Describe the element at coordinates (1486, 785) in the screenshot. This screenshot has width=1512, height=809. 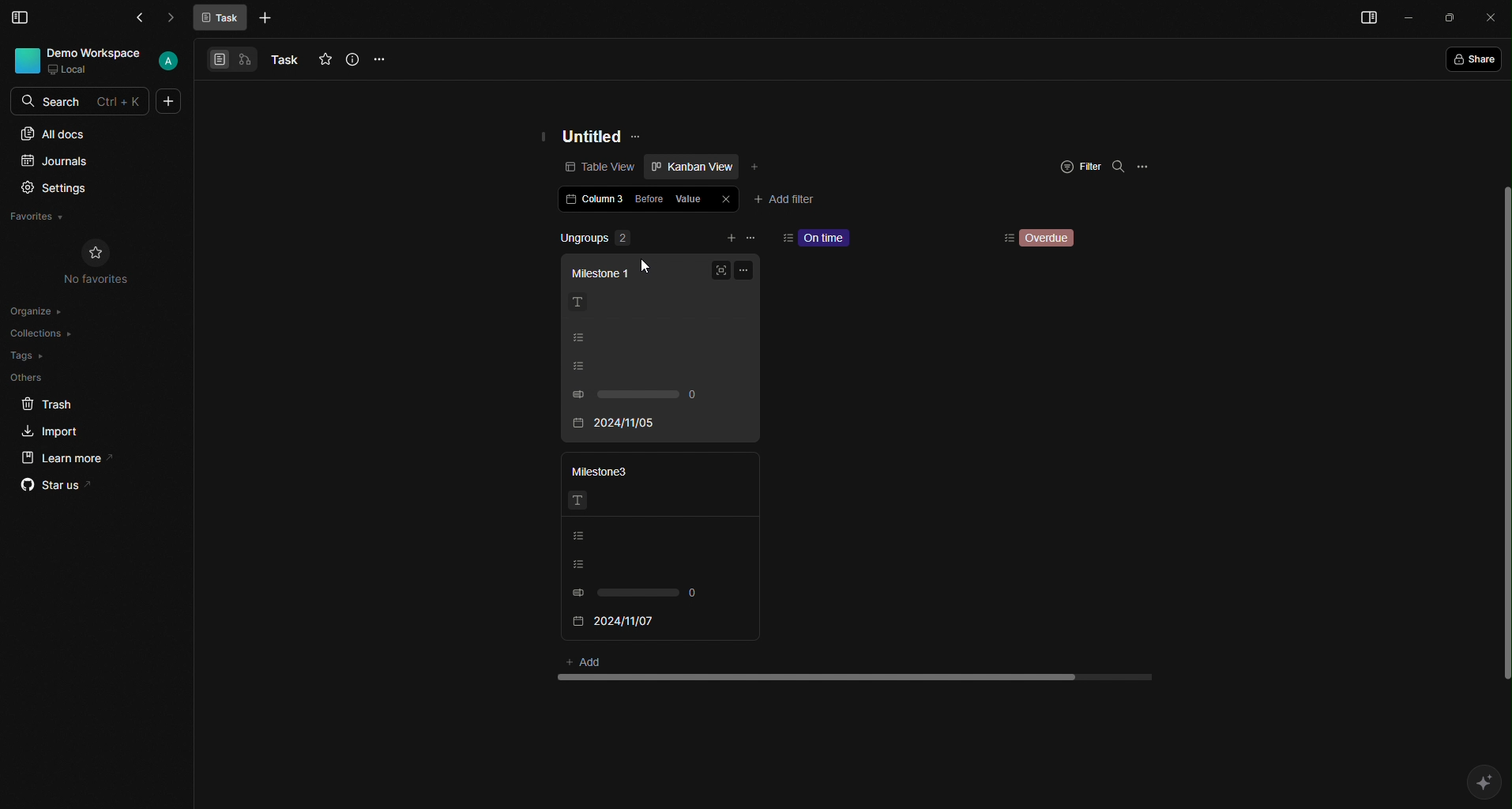
I see `AI` at that location.